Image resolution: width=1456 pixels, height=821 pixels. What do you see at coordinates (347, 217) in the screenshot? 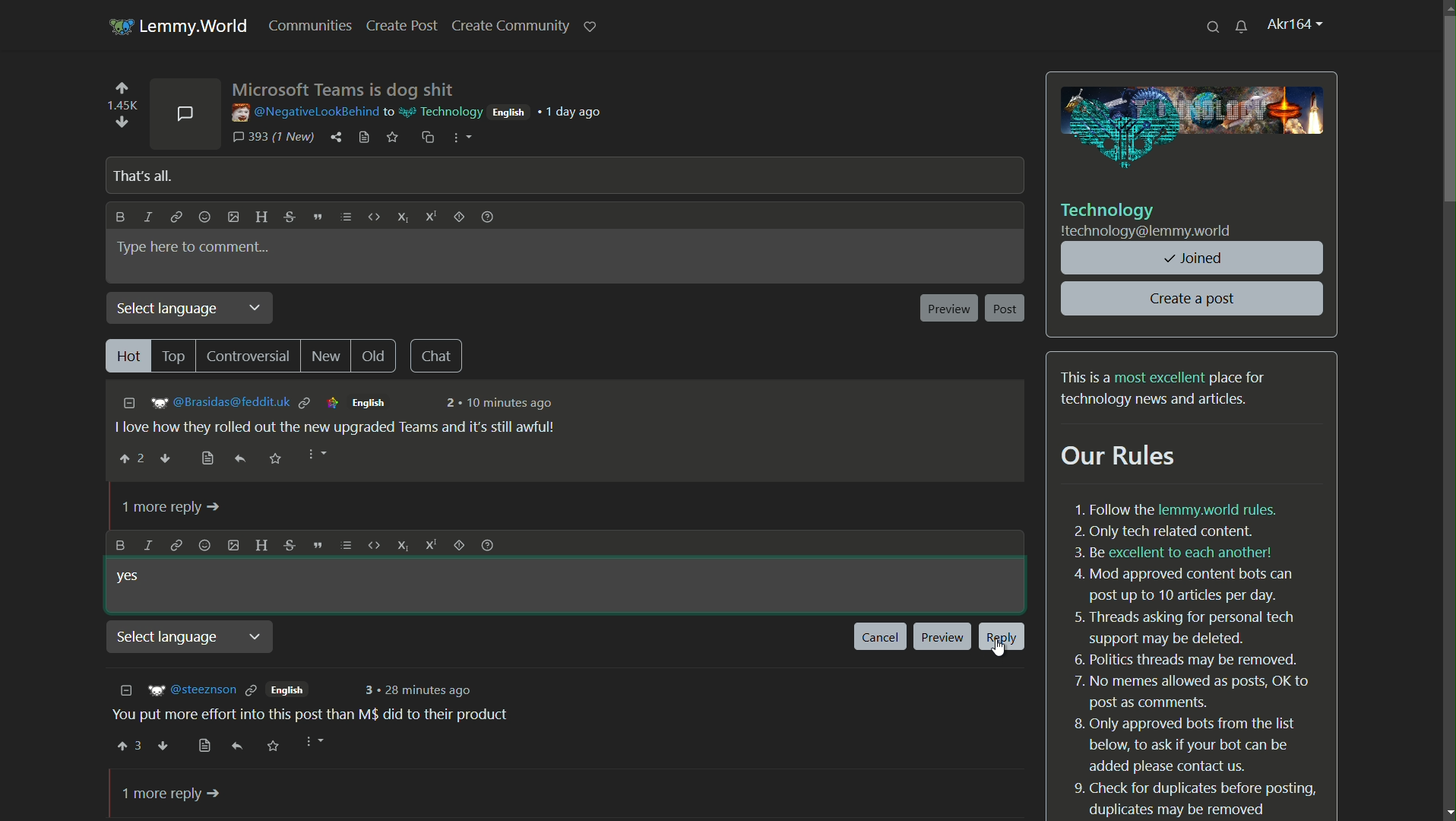
I see `list` at bounding box center [347, 217].